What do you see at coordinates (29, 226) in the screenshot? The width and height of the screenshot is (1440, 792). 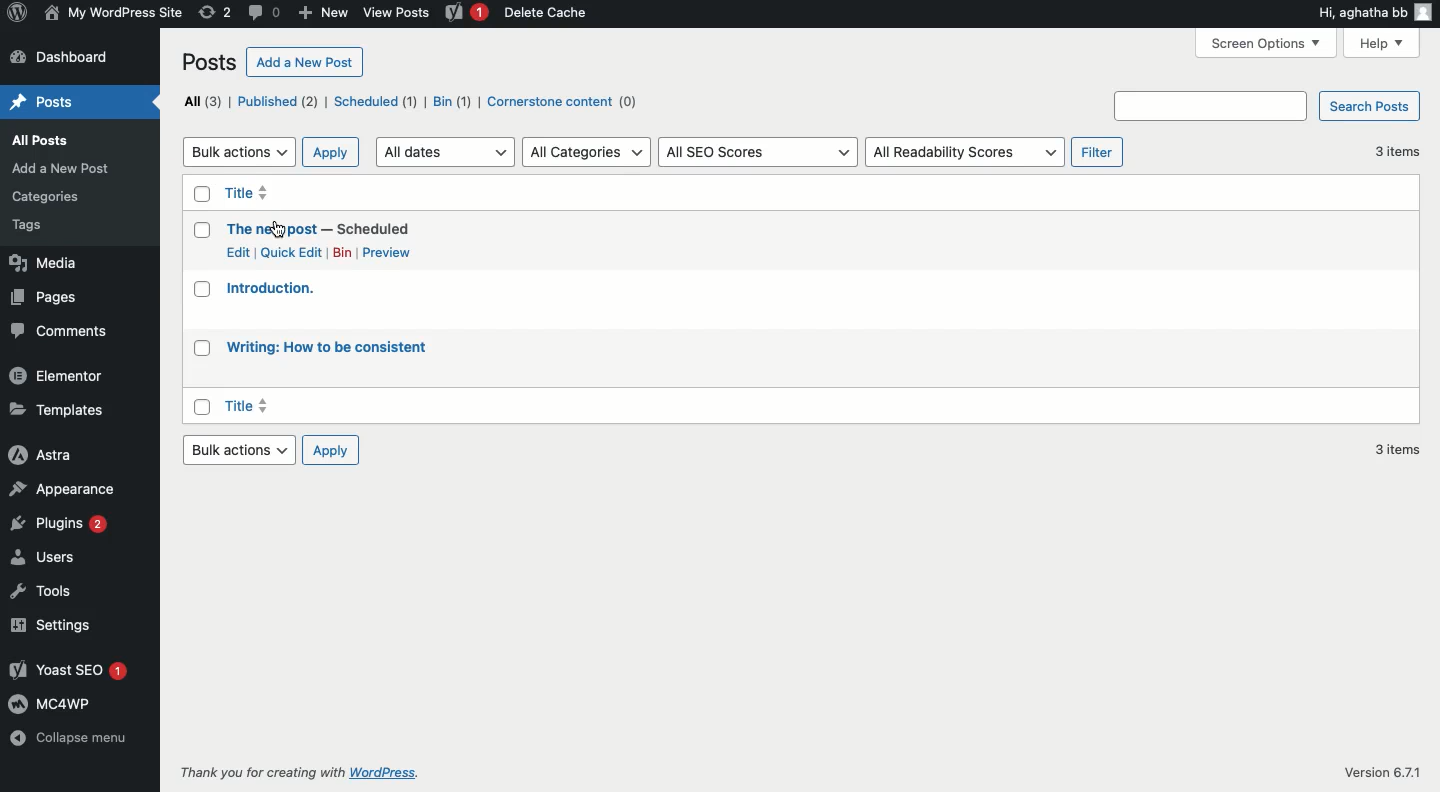 I see `Tags` at bounding box center [29, 226].